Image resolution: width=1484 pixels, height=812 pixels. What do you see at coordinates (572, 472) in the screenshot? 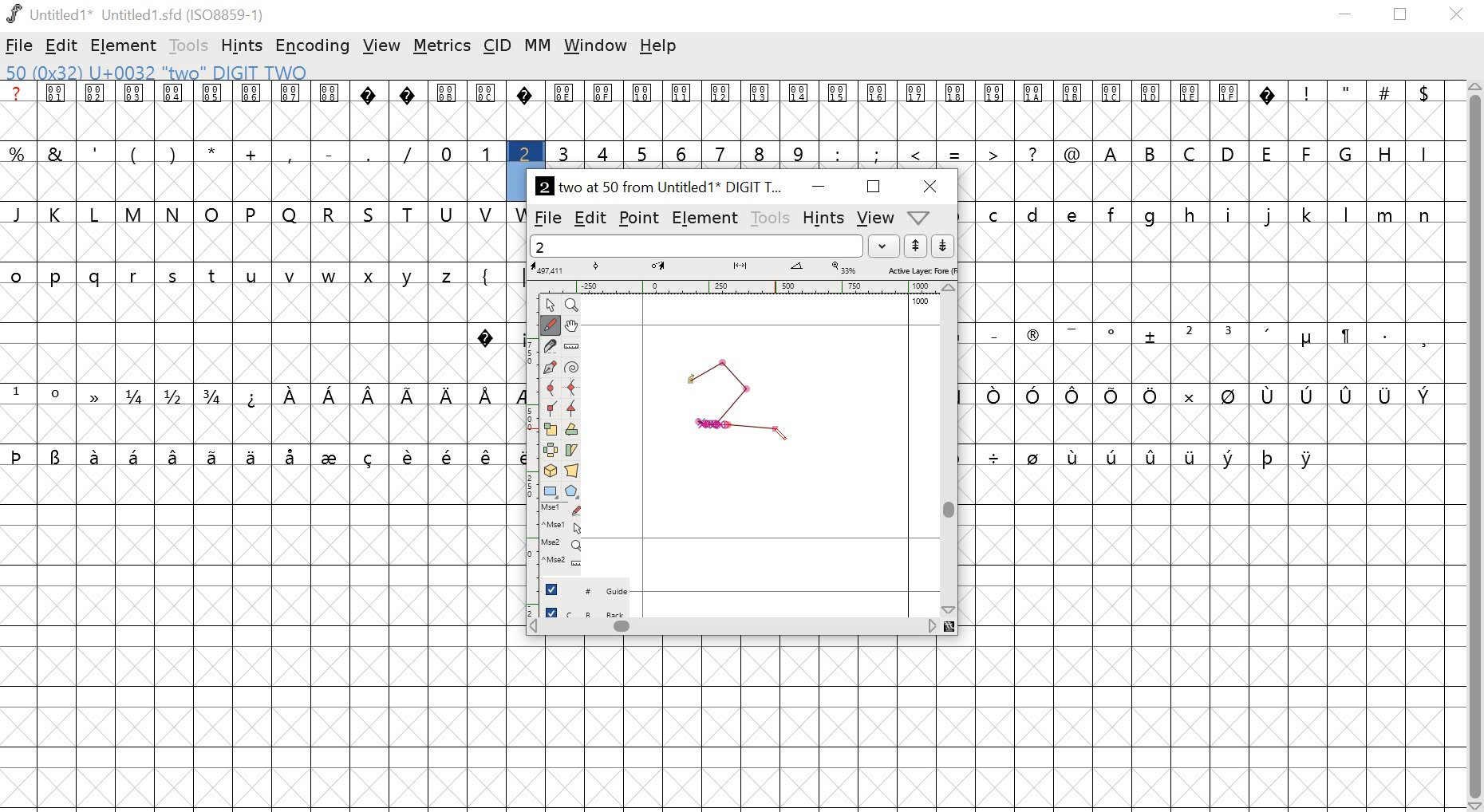
I see `perspective` at bounding box center [572, 472].